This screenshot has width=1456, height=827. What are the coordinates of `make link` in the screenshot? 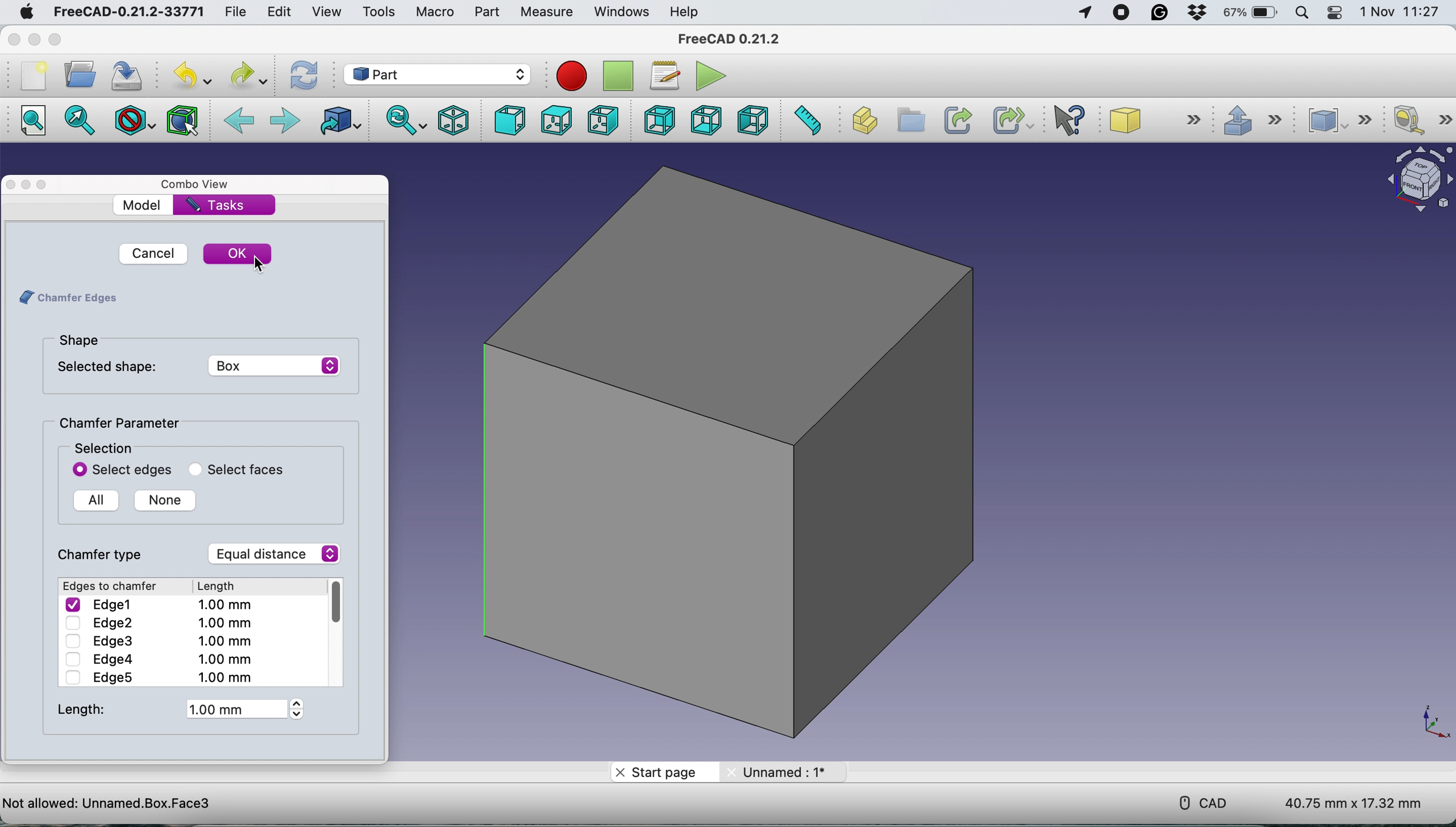 It's located at (956, 120).